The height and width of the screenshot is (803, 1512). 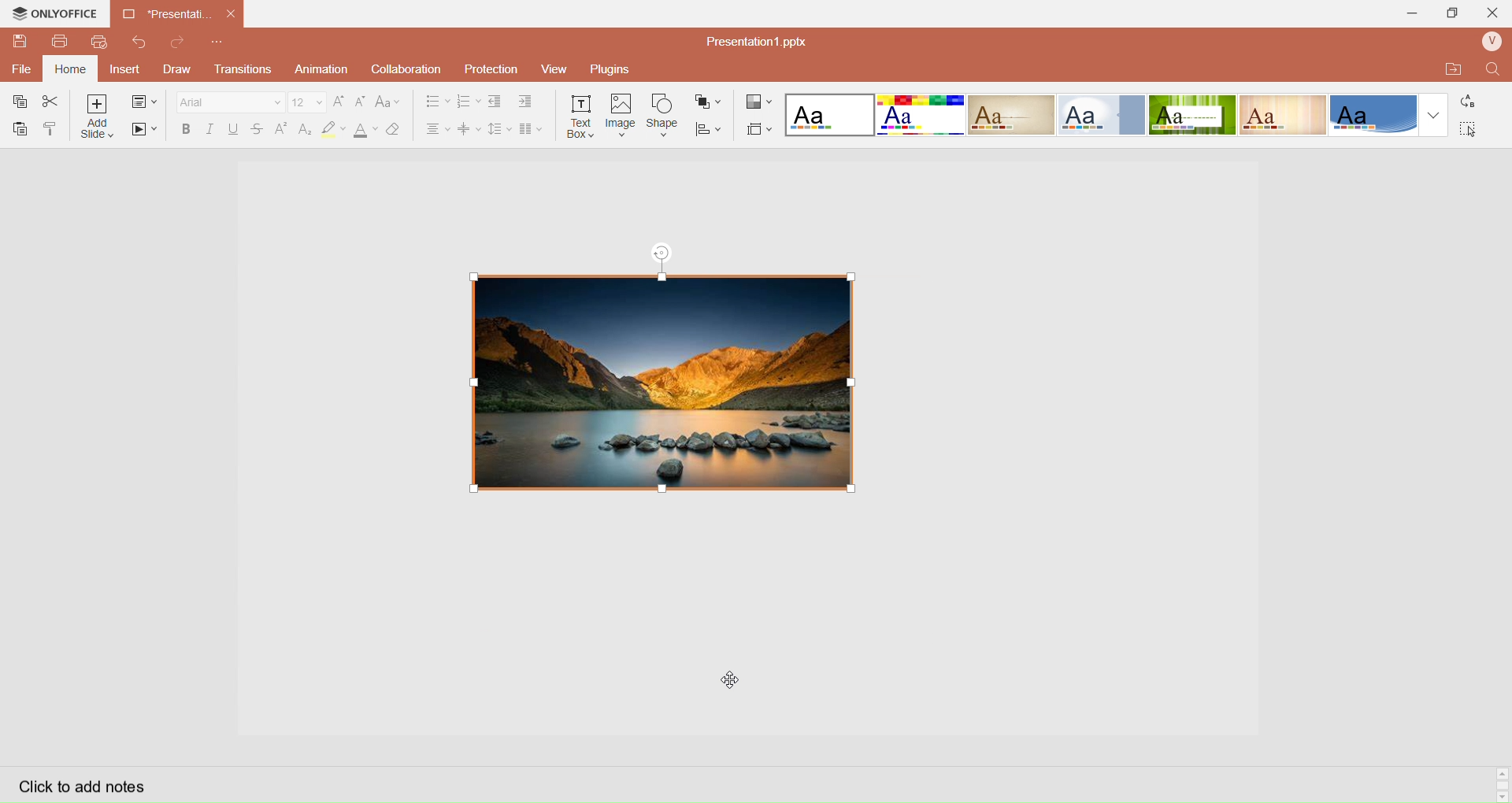 I want to click on Bold, so click(x=186, y=129).